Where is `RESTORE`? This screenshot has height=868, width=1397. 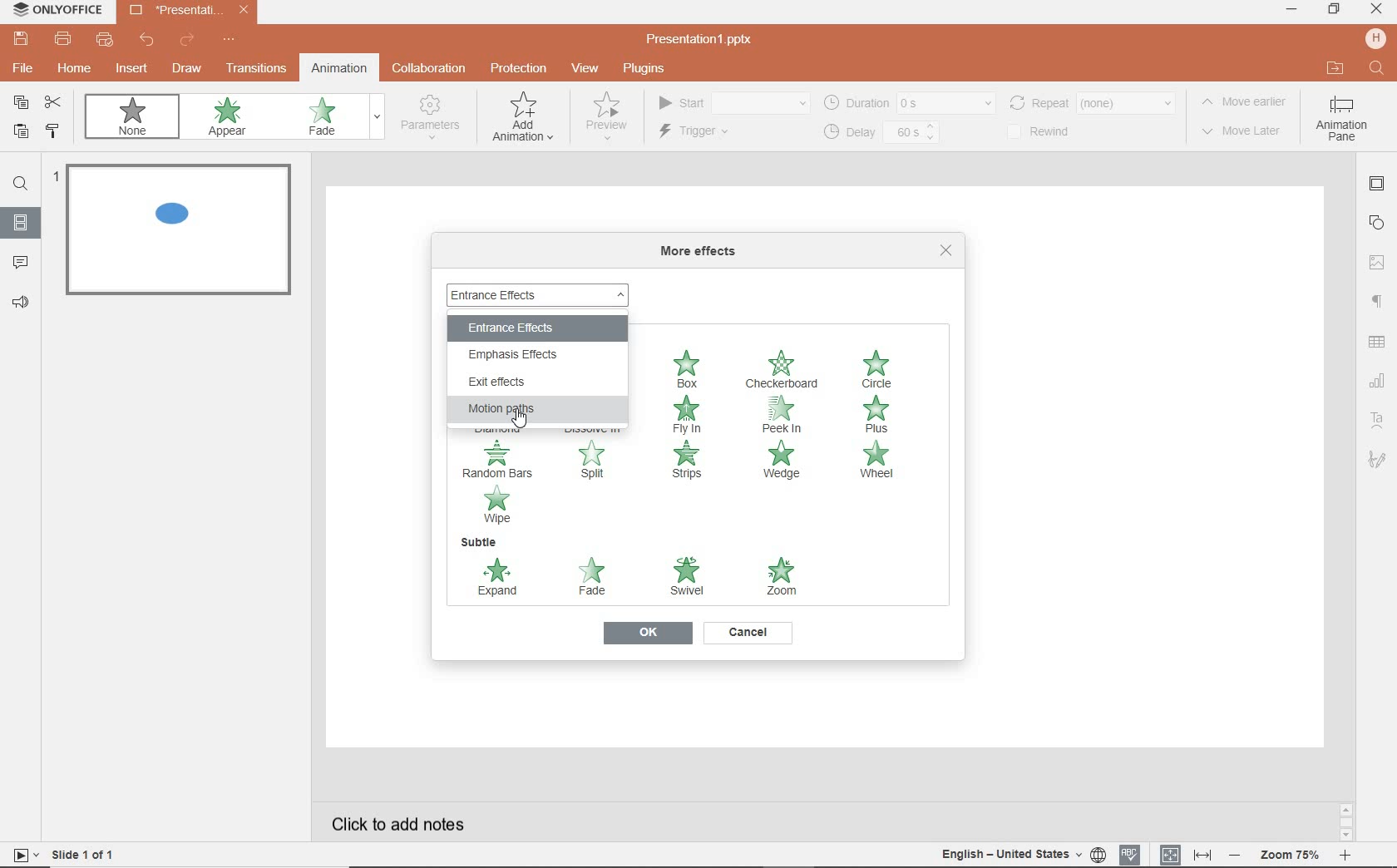
RESTORE is located at coordinates (1334, 10).